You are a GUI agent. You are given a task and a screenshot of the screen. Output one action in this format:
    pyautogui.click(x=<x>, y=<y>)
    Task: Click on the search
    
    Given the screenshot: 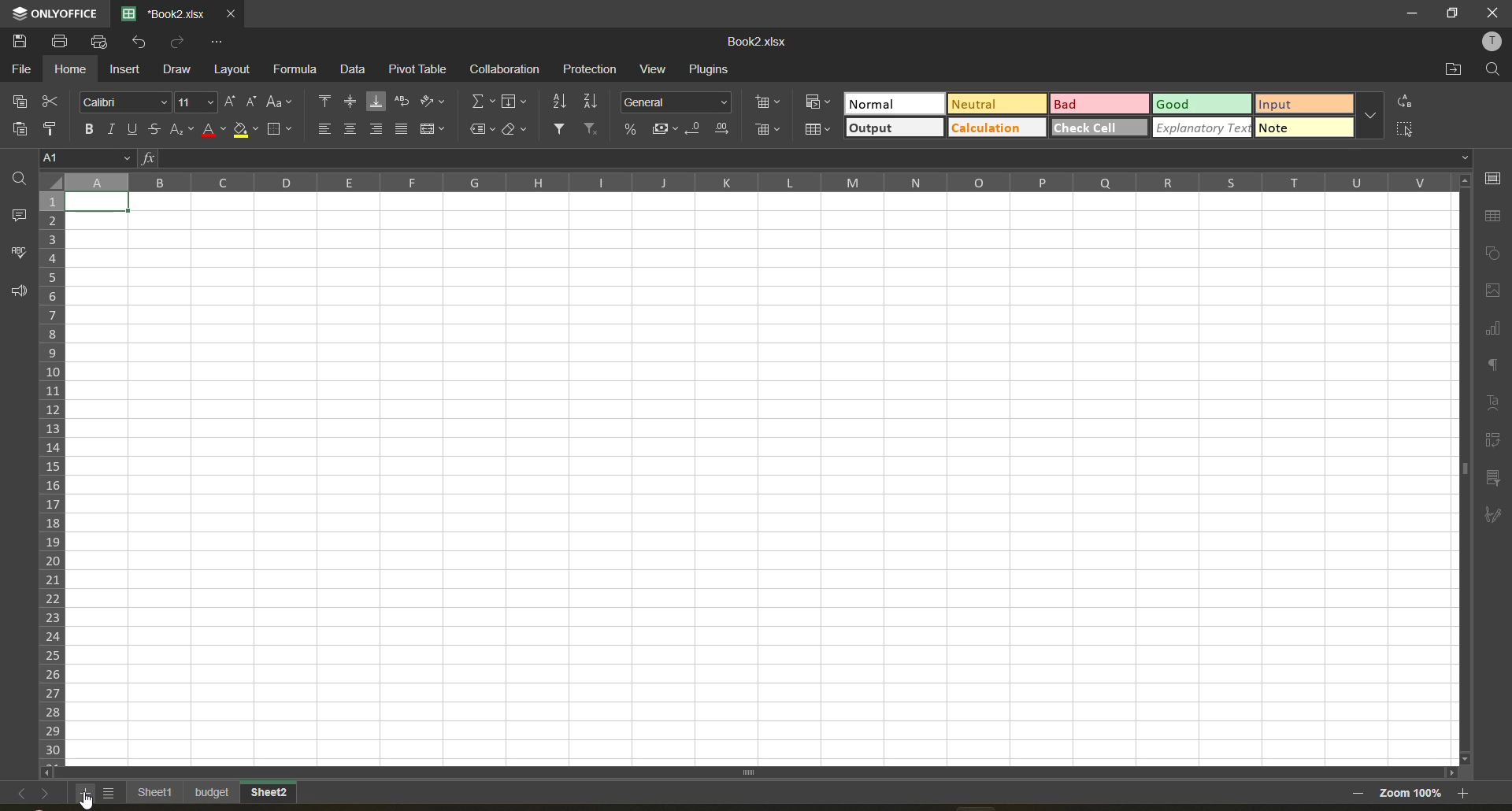 What is the action you would take?
    pyautogui.click(x=19, y=178)
    